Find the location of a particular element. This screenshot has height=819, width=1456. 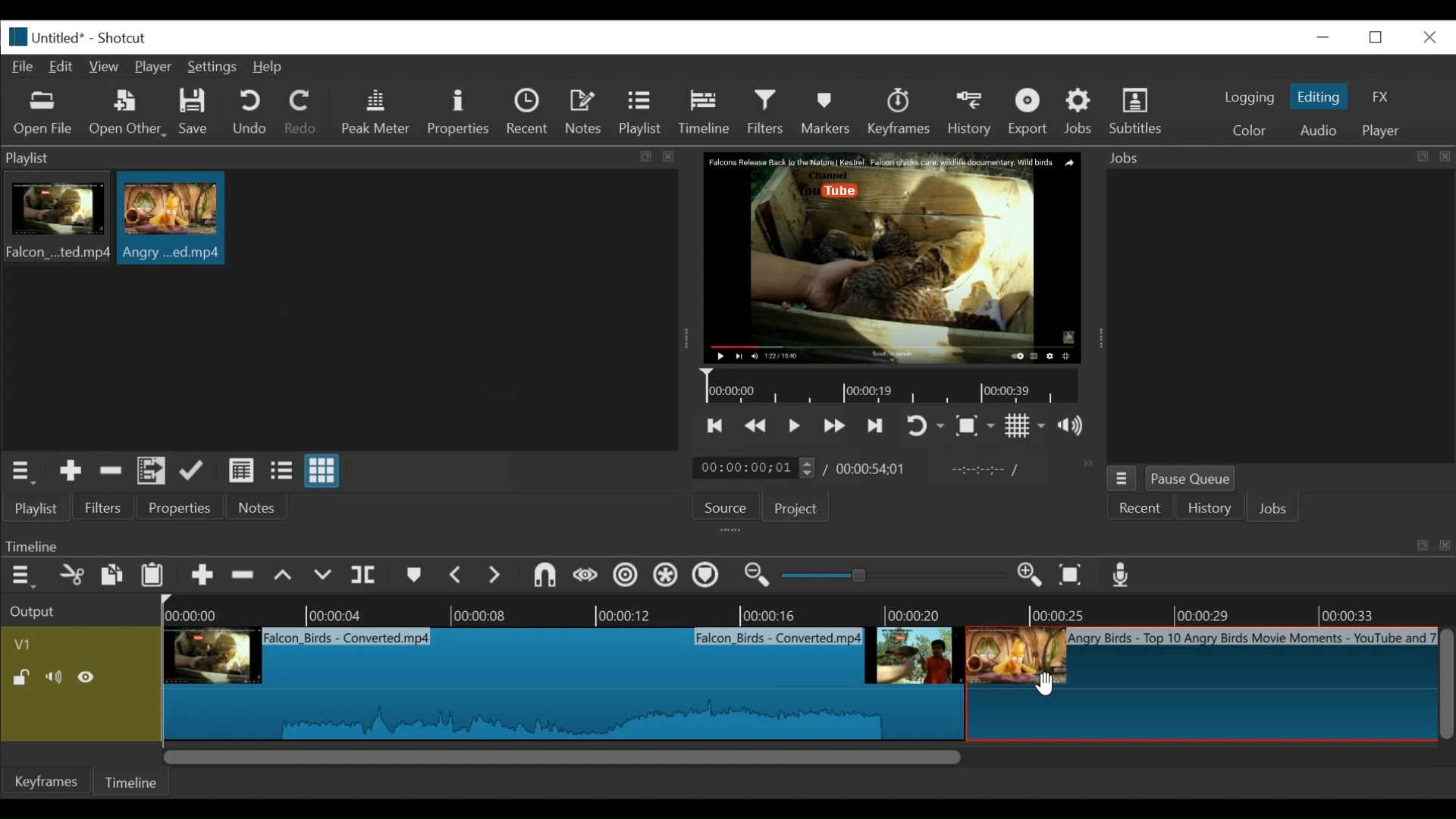

Filters is located at coordinates (104, 508).